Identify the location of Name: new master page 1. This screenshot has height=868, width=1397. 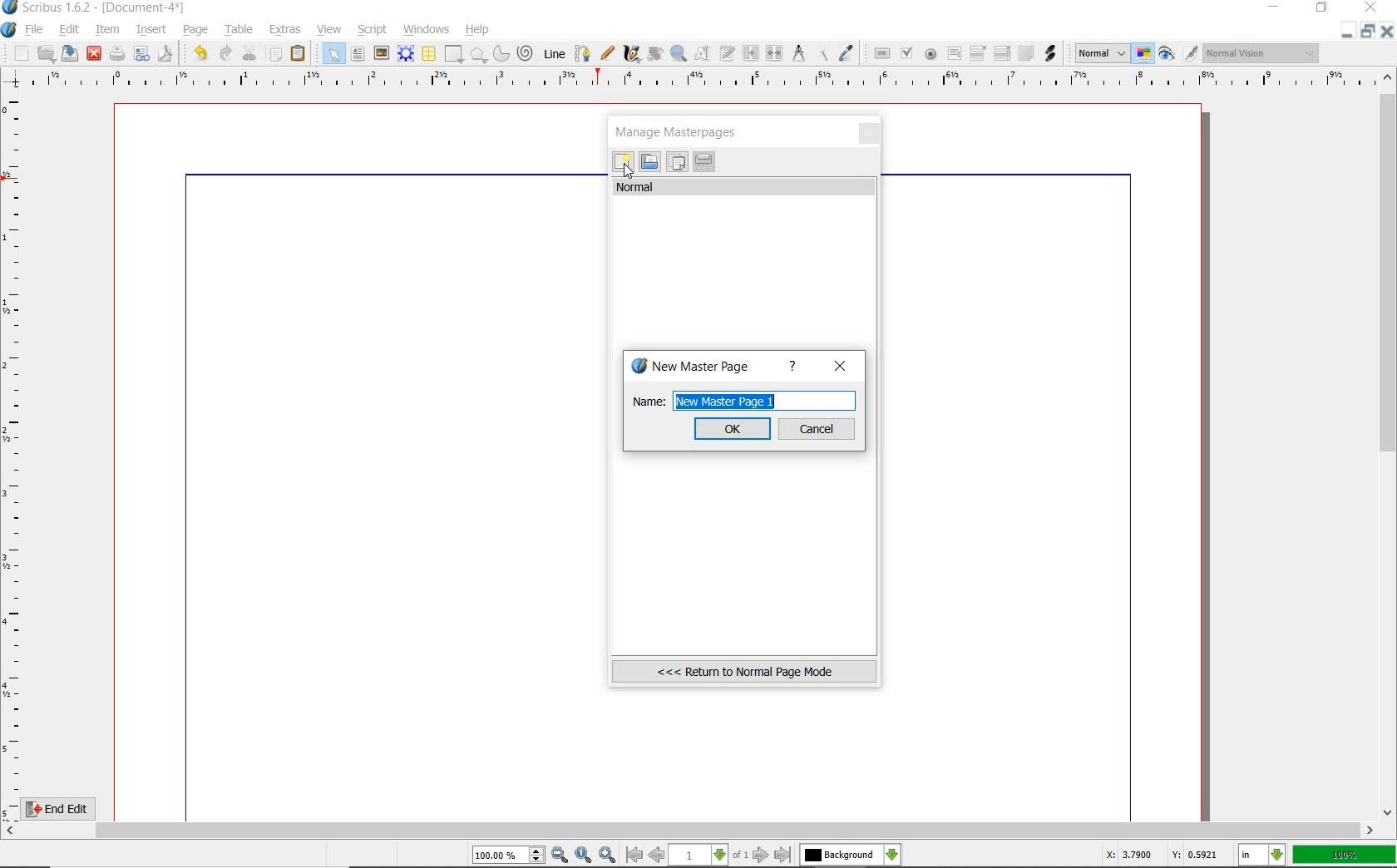
(743, 401).